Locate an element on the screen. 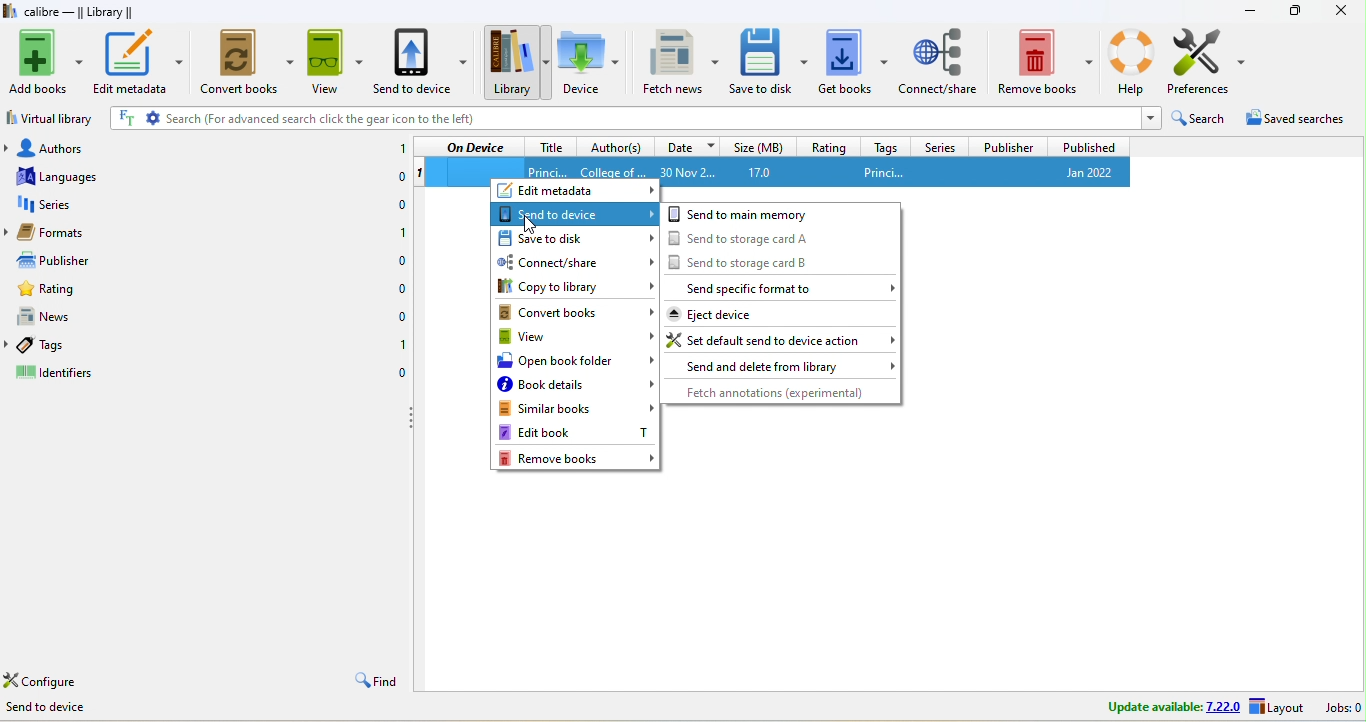 Image resolution: width=1366 pixels, height=722 pixels. remove books is located at coordinates (1046, 59).